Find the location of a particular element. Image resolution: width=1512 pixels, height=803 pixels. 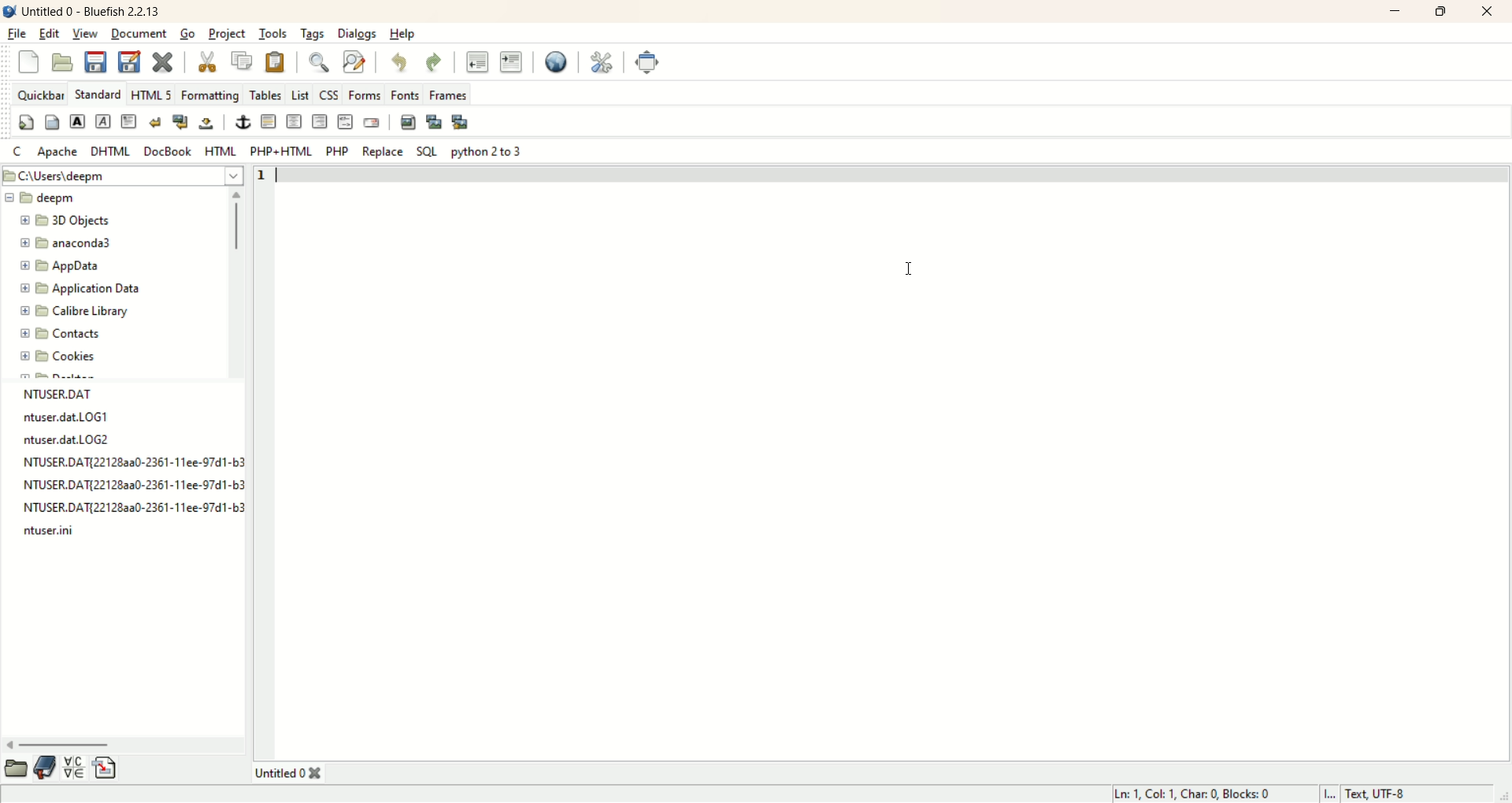

DHTML is located at coordinates (109, 151).